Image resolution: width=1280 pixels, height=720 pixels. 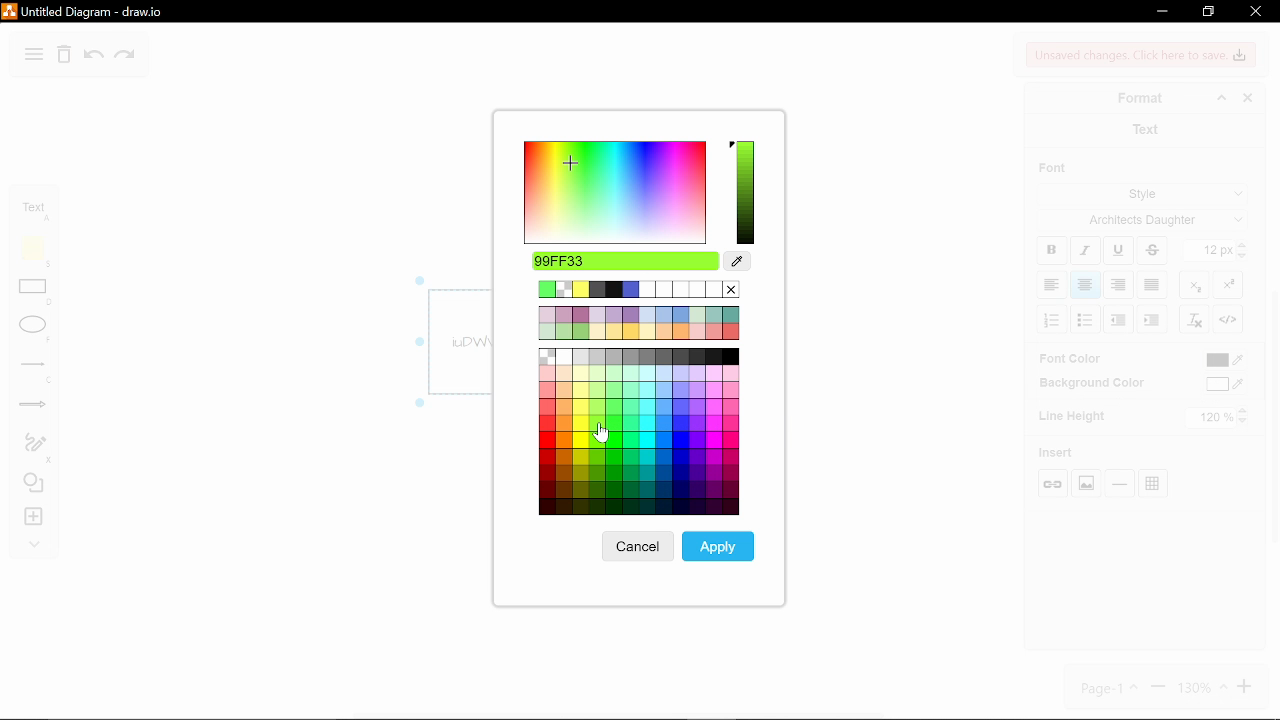 I want to click on text, so click(x=1145, y=129).